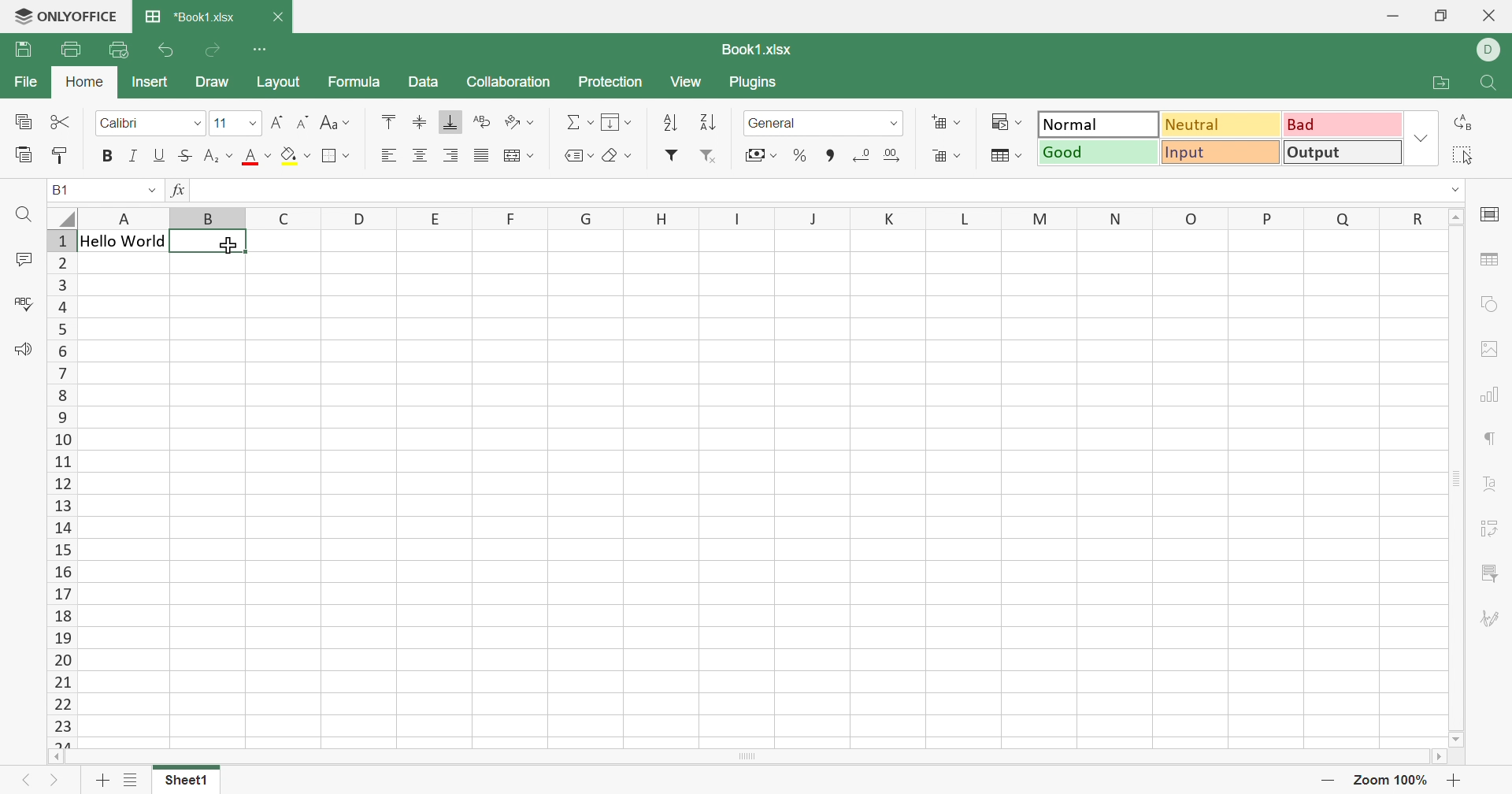  Describe the element at coordinates (60, 121) in the screenshot. I see `Cut` at that location.